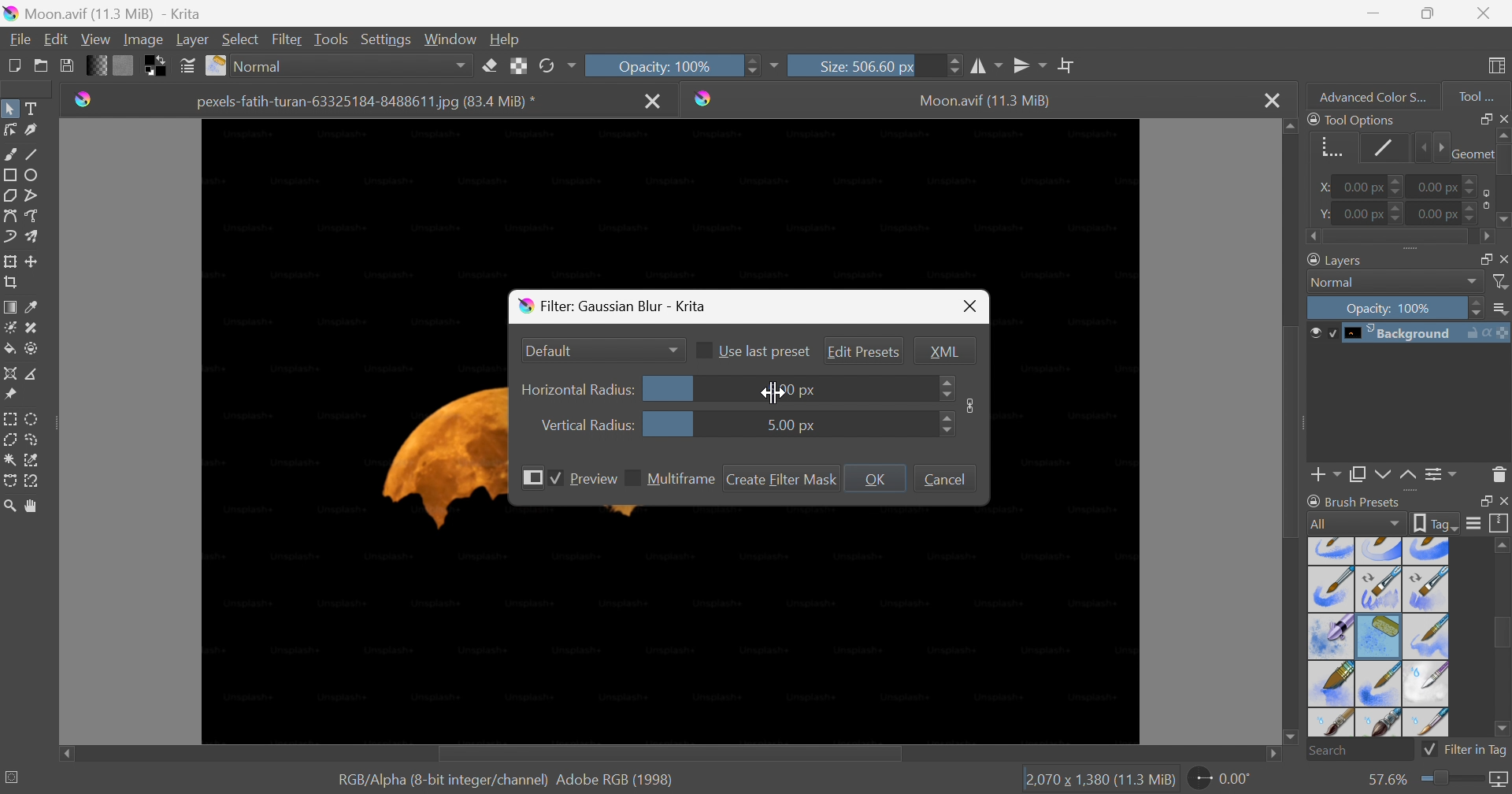  I want to click on Cancel, so click(947, 479).